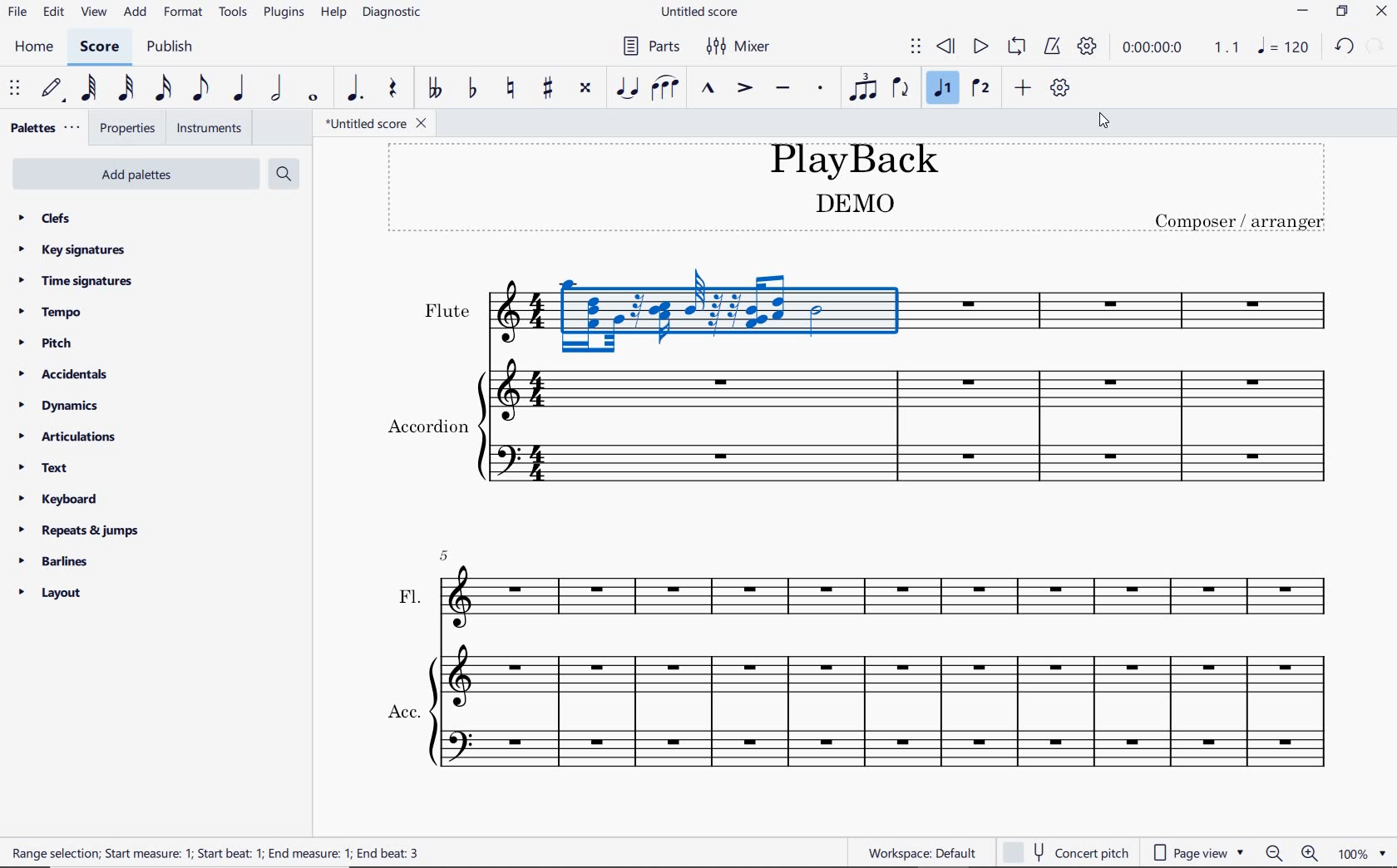  I want to click on add palettes, so click(136, 174).